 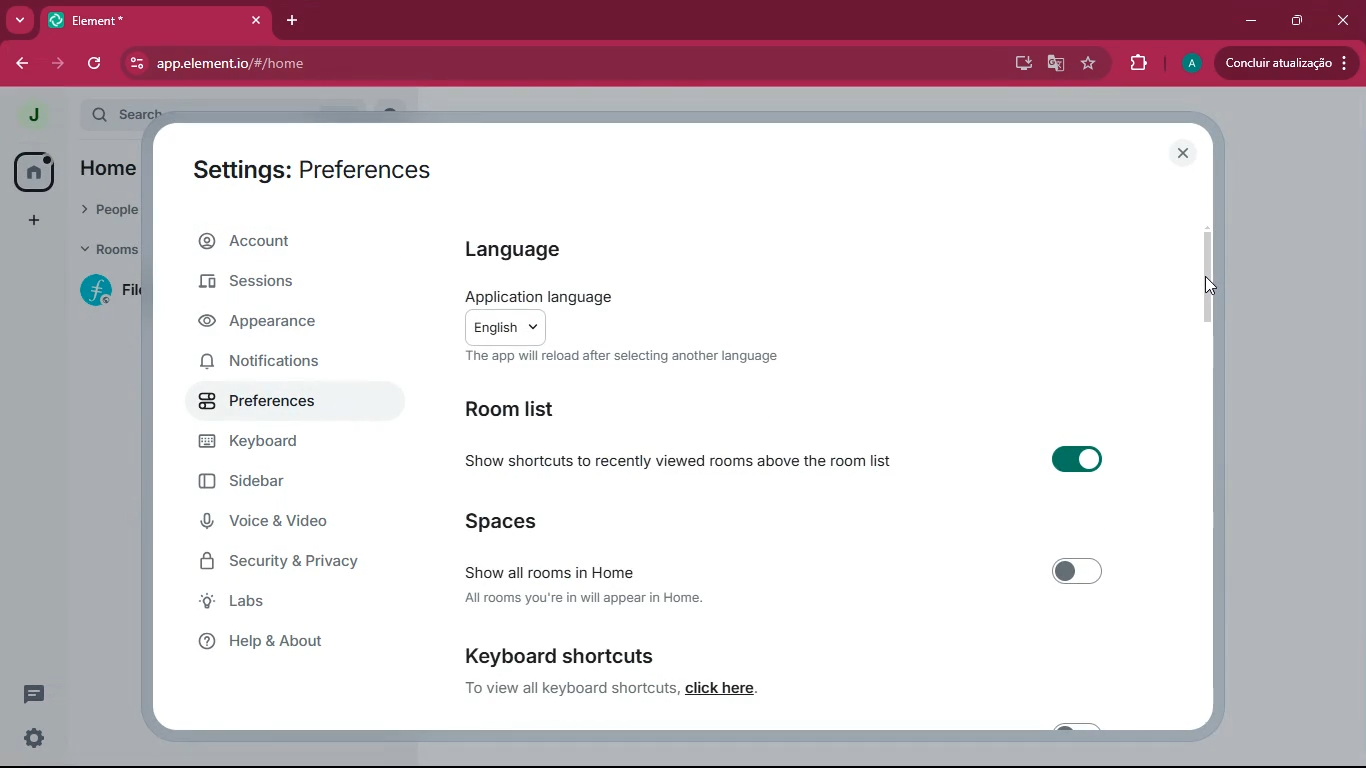 I want to click on maximize, so click(x=1293, y=21).